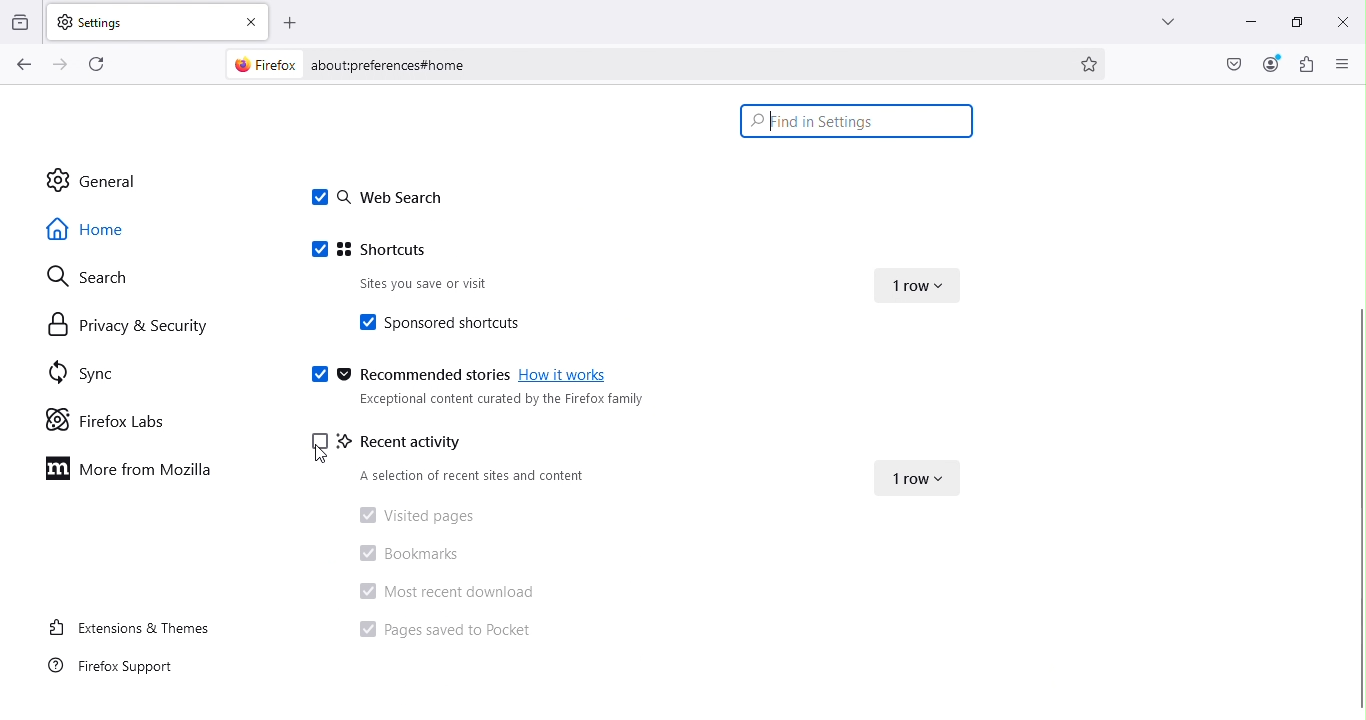 The width and height of the screenshot is (1366, 720). Describe the element at coordinates (102, 63) in the screenshot. I see `Reload the current page` at that location.